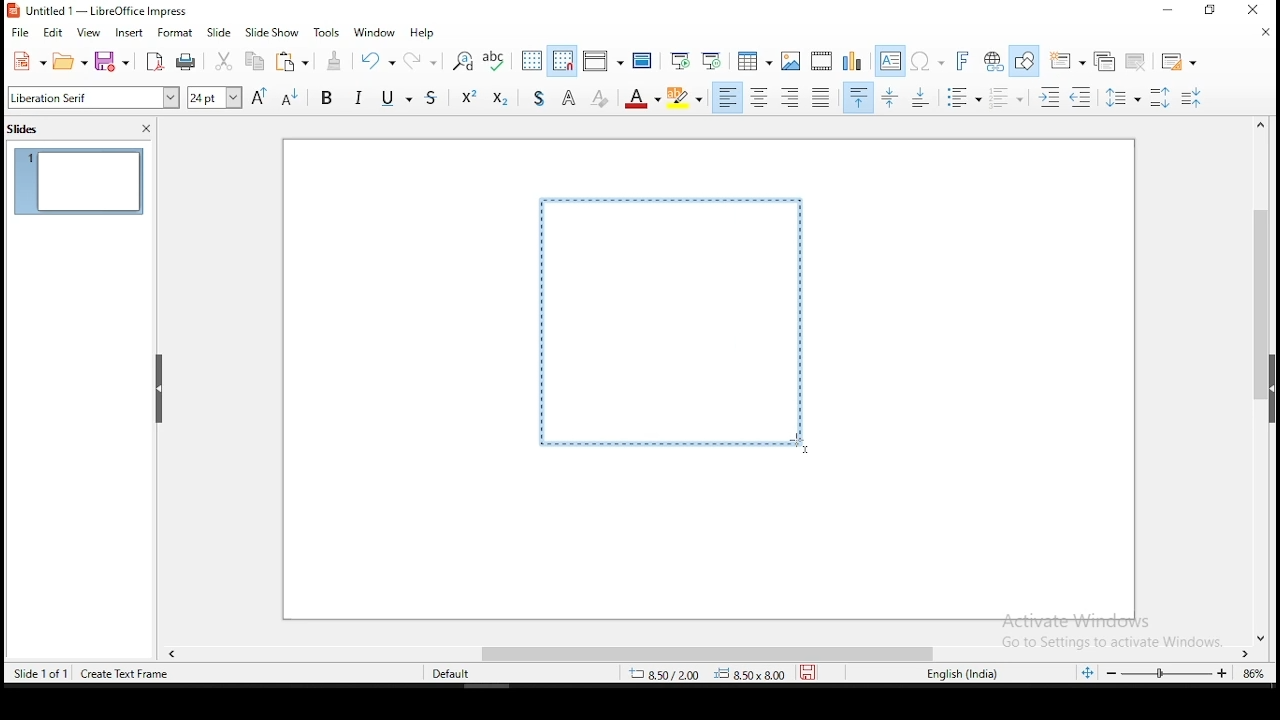 The height and width of the screenshot is (720, 1280). Describe the element at coordinates (158, 389) in the screenshot. I see `close pane` at that location.